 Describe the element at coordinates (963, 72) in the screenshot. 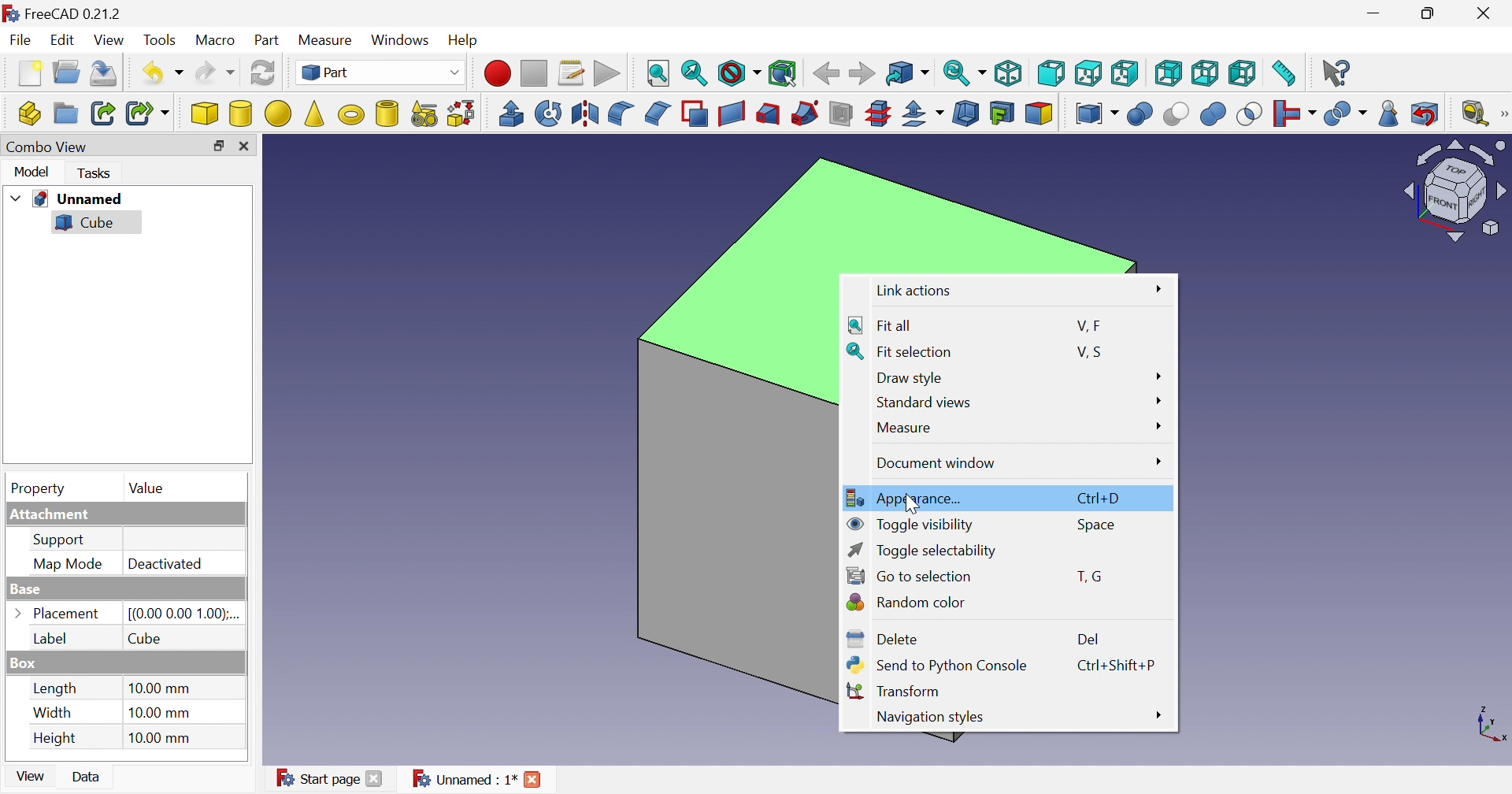

I see `Sync view` at that location.